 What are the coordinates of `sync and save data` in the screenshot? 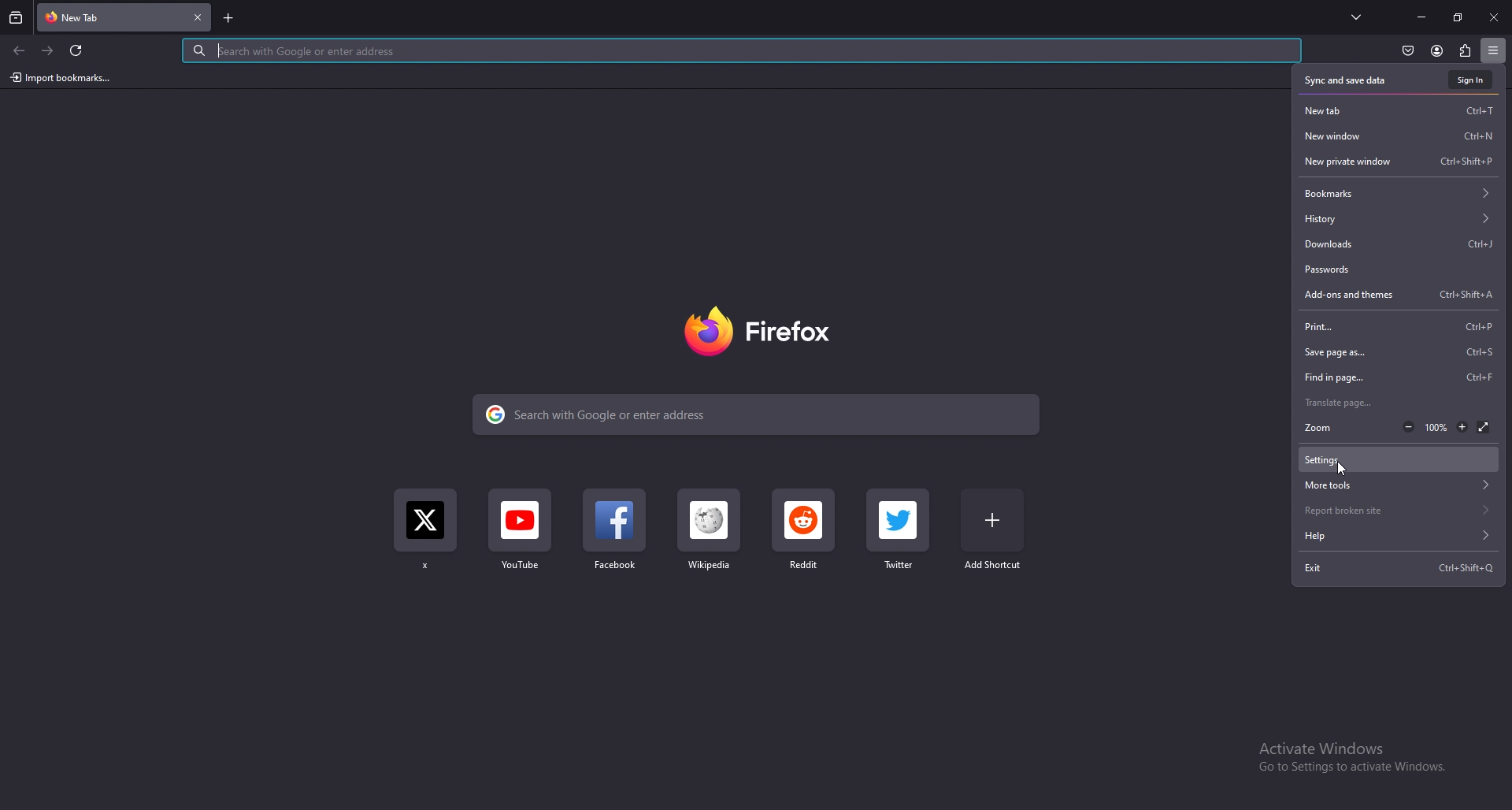 It's located at (1345, 81).